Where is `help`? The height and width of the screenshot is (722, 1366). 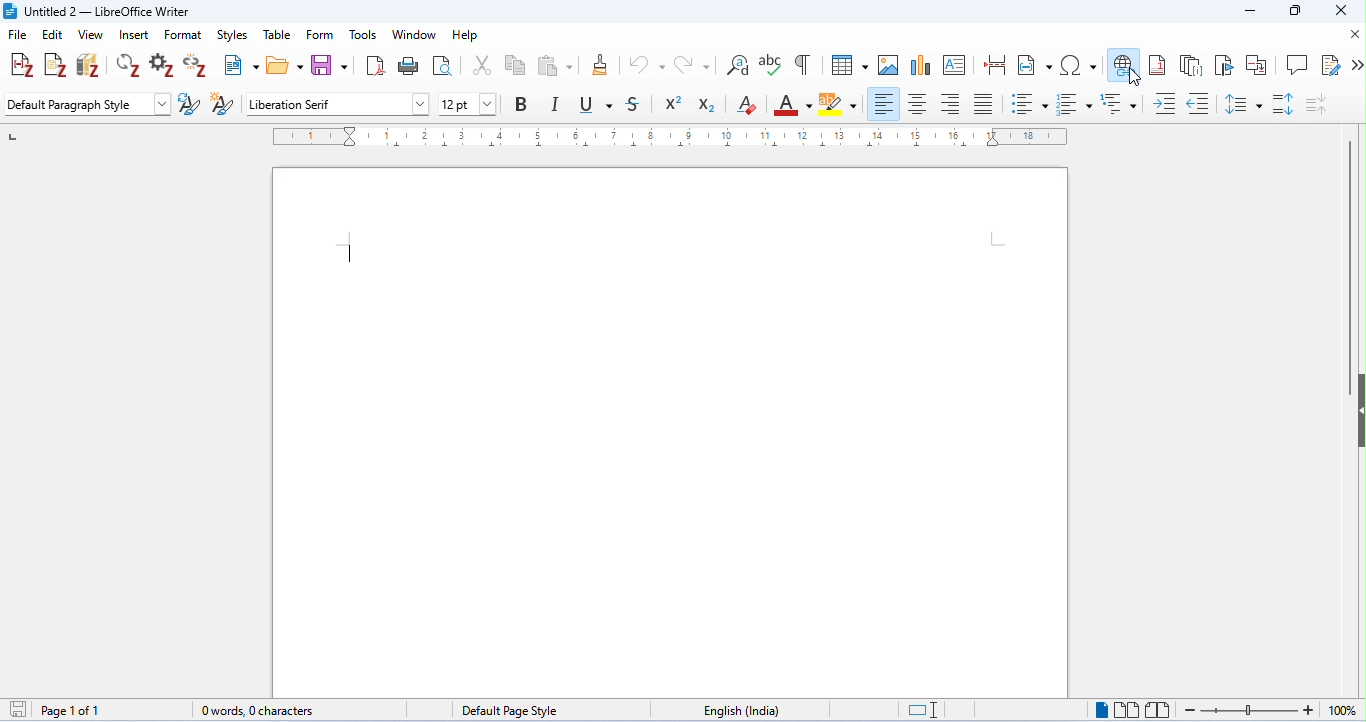
help is located at coordinates (466, 36).